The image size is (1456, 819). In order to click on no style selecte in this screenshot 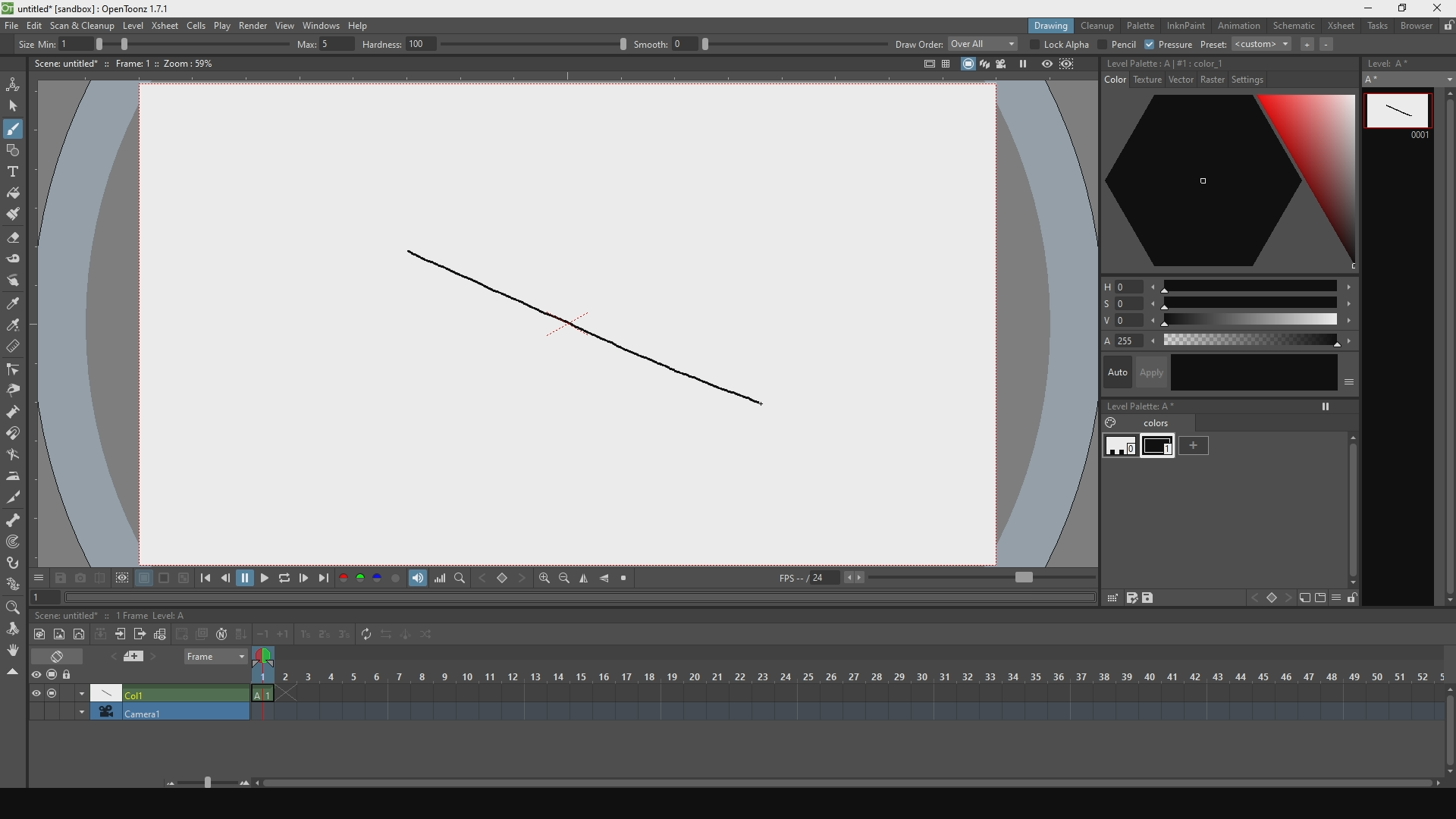, I will do `click(1164, 62)`.